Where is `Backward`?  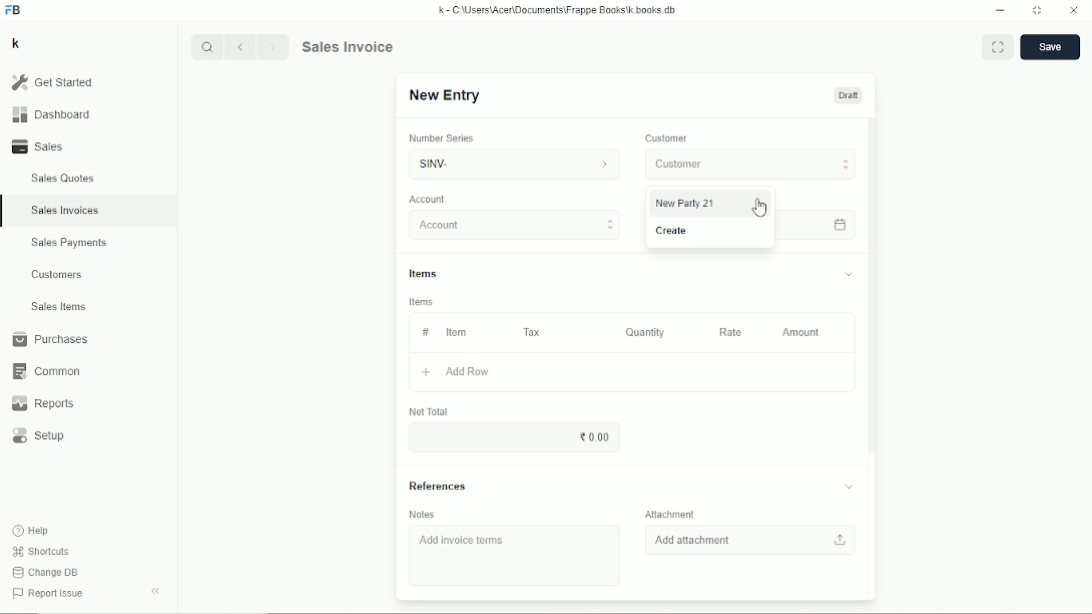
Backward is located at coordinates (244, 46).